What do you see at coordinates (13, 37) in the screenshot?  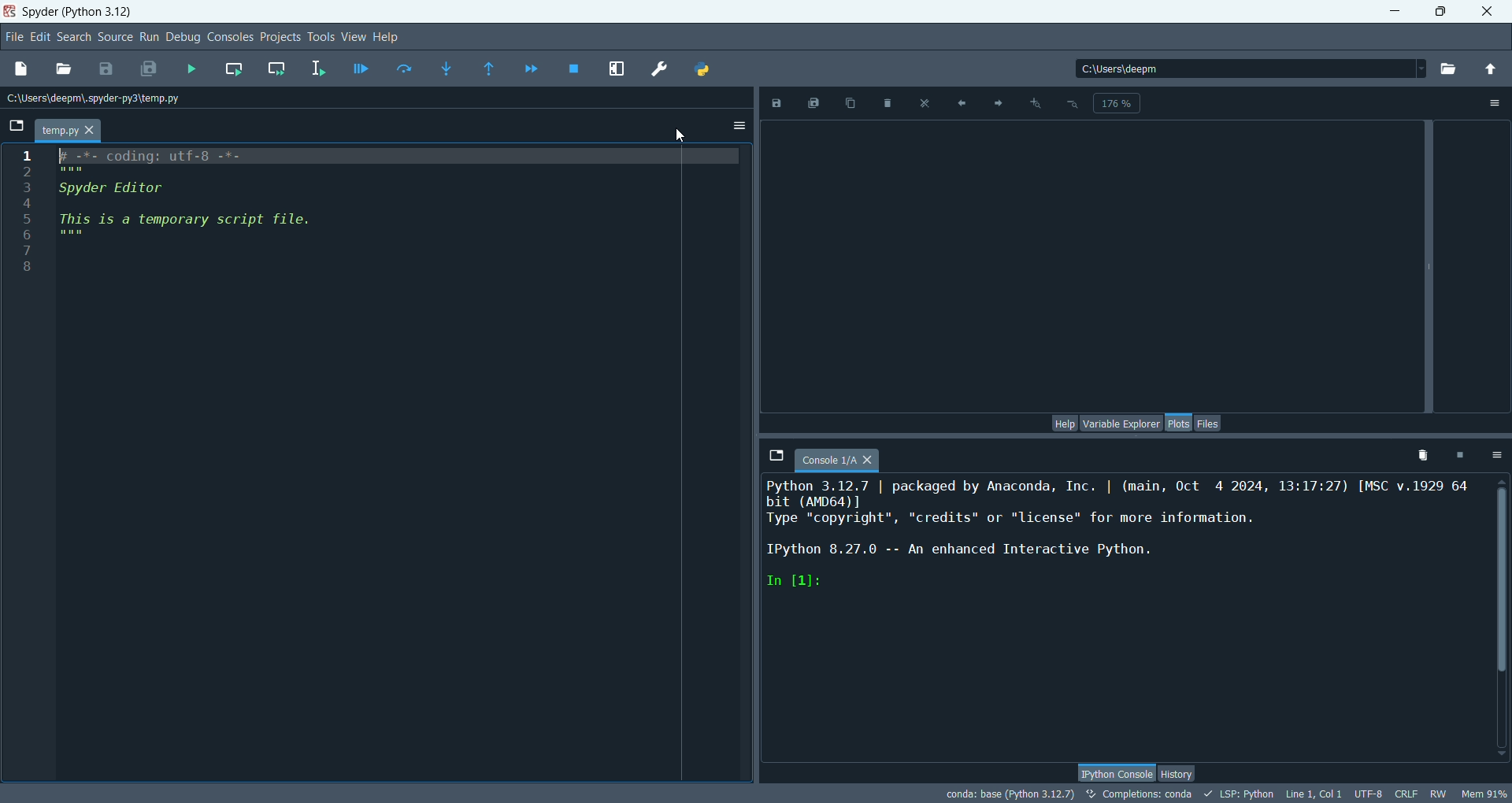 I see `file` at bounding box center [13, 37].